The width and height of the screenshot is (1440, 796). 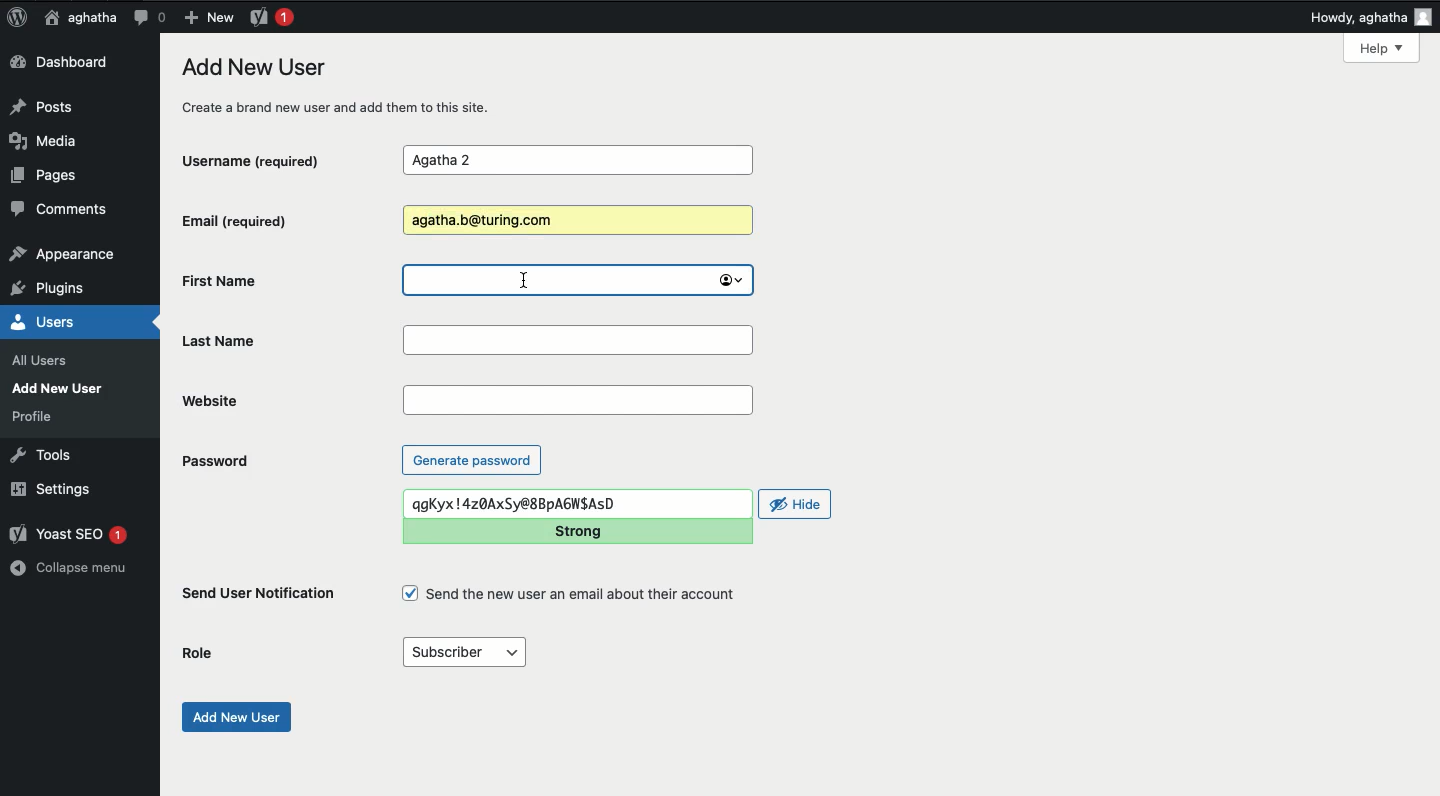 What do you see at coordinates (576, 401) in the screenshot?
I see `Website` at bounding box center [576, 401].